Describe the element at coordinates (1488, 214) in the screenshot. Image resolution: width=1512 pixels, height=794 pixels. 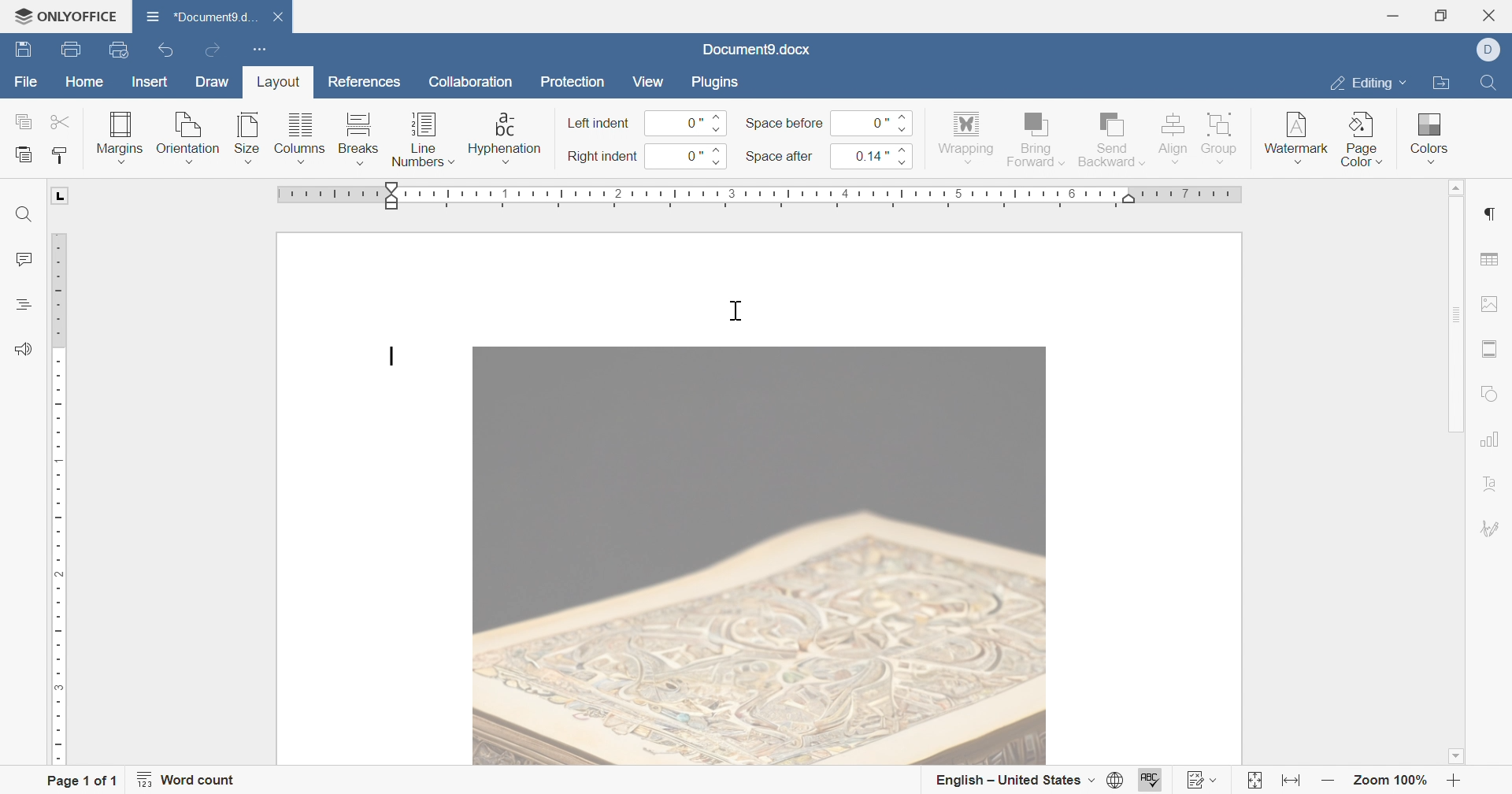
I see `paragraph settings` at that location.